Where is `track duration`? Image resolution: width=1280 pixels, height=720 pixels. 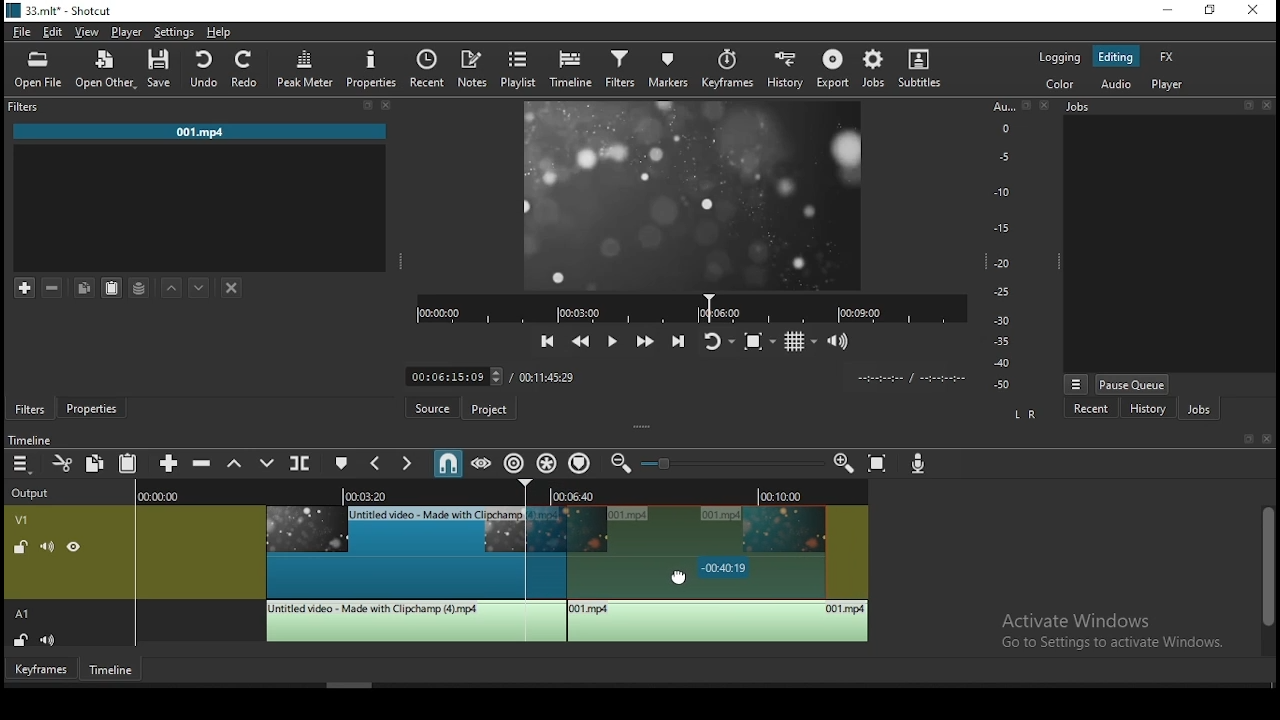
track duration is located at coordinates (546, 376).